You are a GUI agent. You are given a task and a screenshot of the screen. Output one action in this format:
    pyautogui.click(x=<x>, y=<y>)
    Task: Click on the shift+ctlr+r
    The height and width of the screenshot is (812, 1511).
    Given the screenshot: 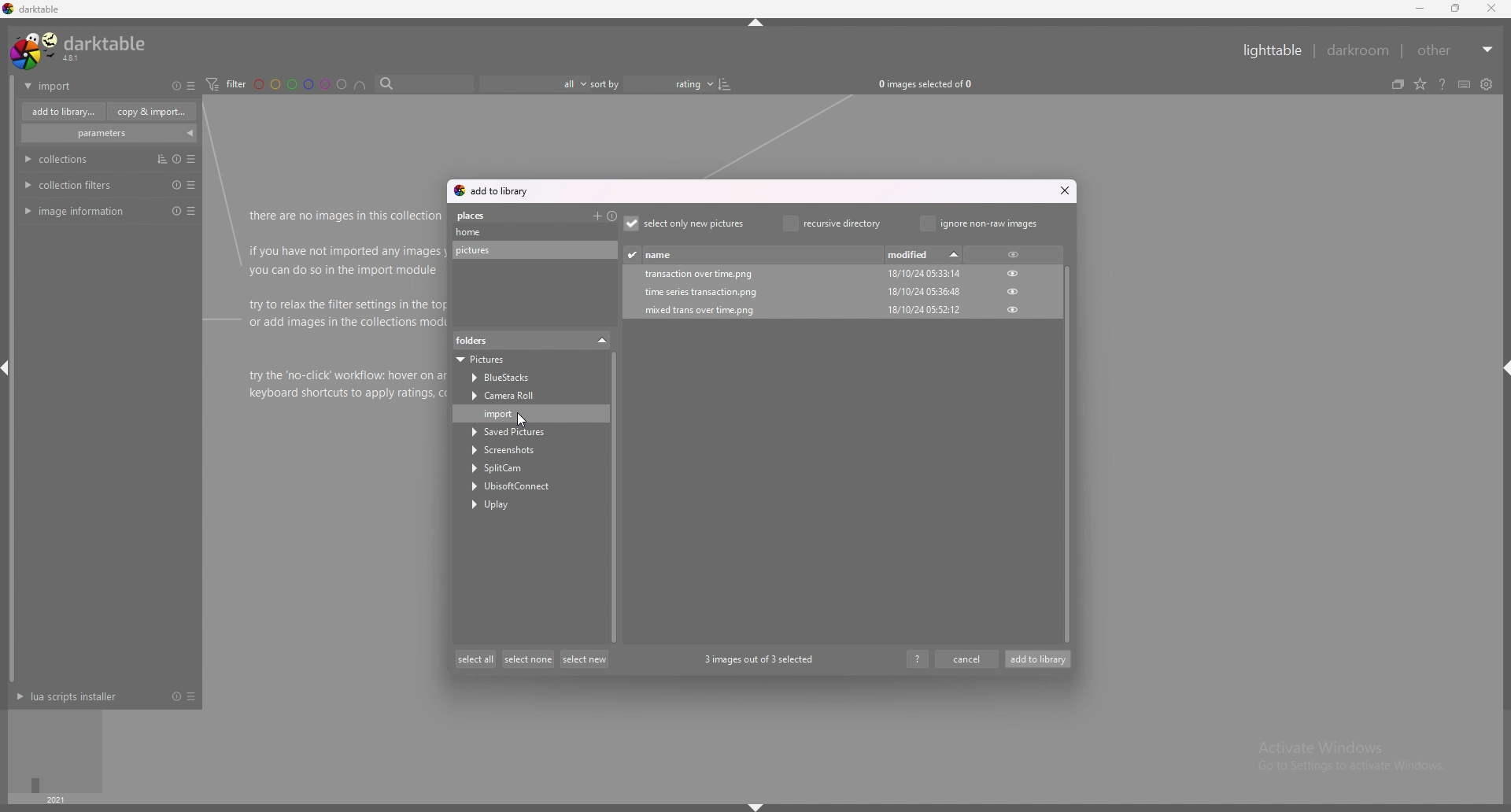 What is the action you would take?
    pyautogui.click(x=1502, y=367)
    